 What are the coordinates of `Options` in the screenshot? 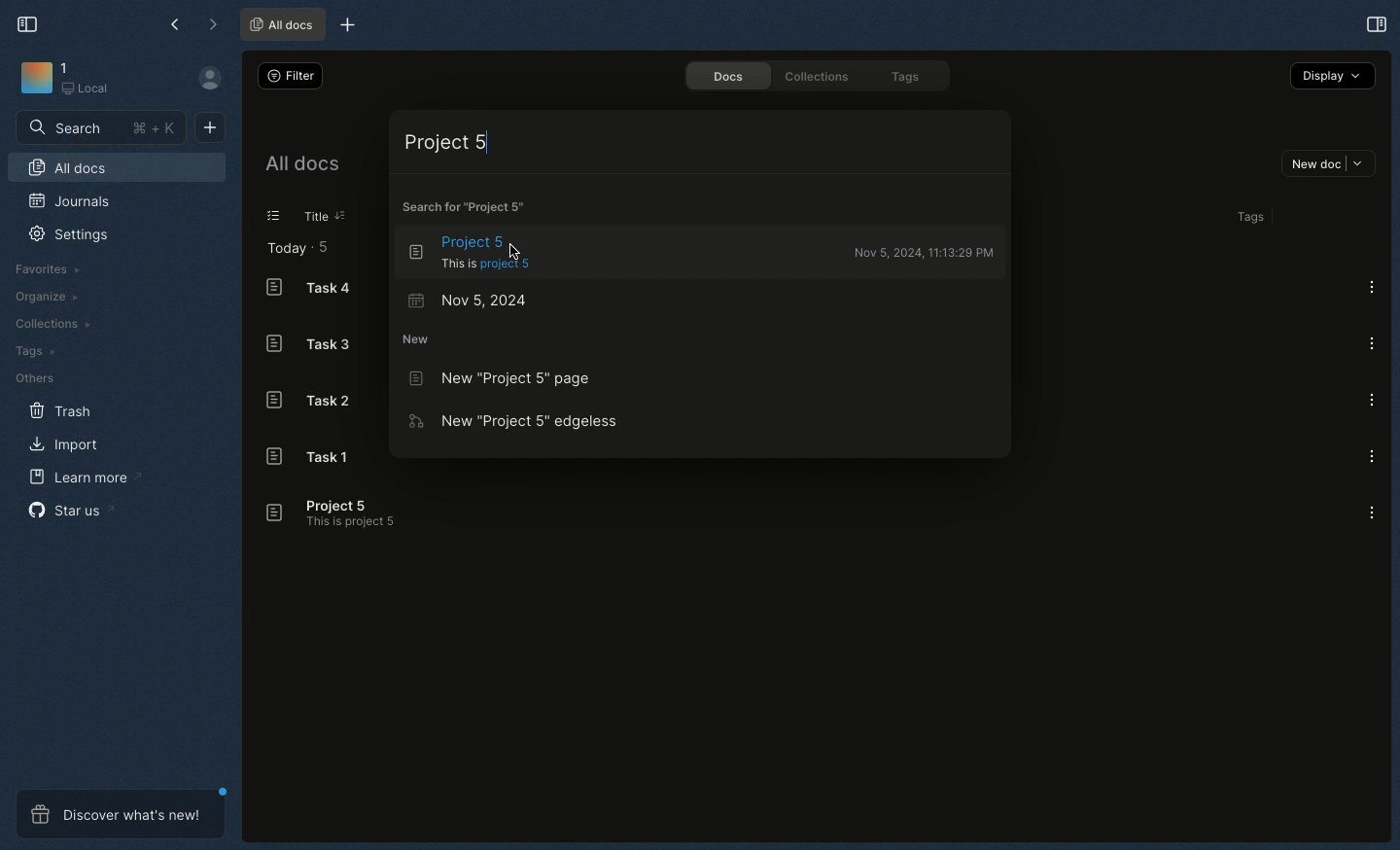 It's located at (1375, 454).